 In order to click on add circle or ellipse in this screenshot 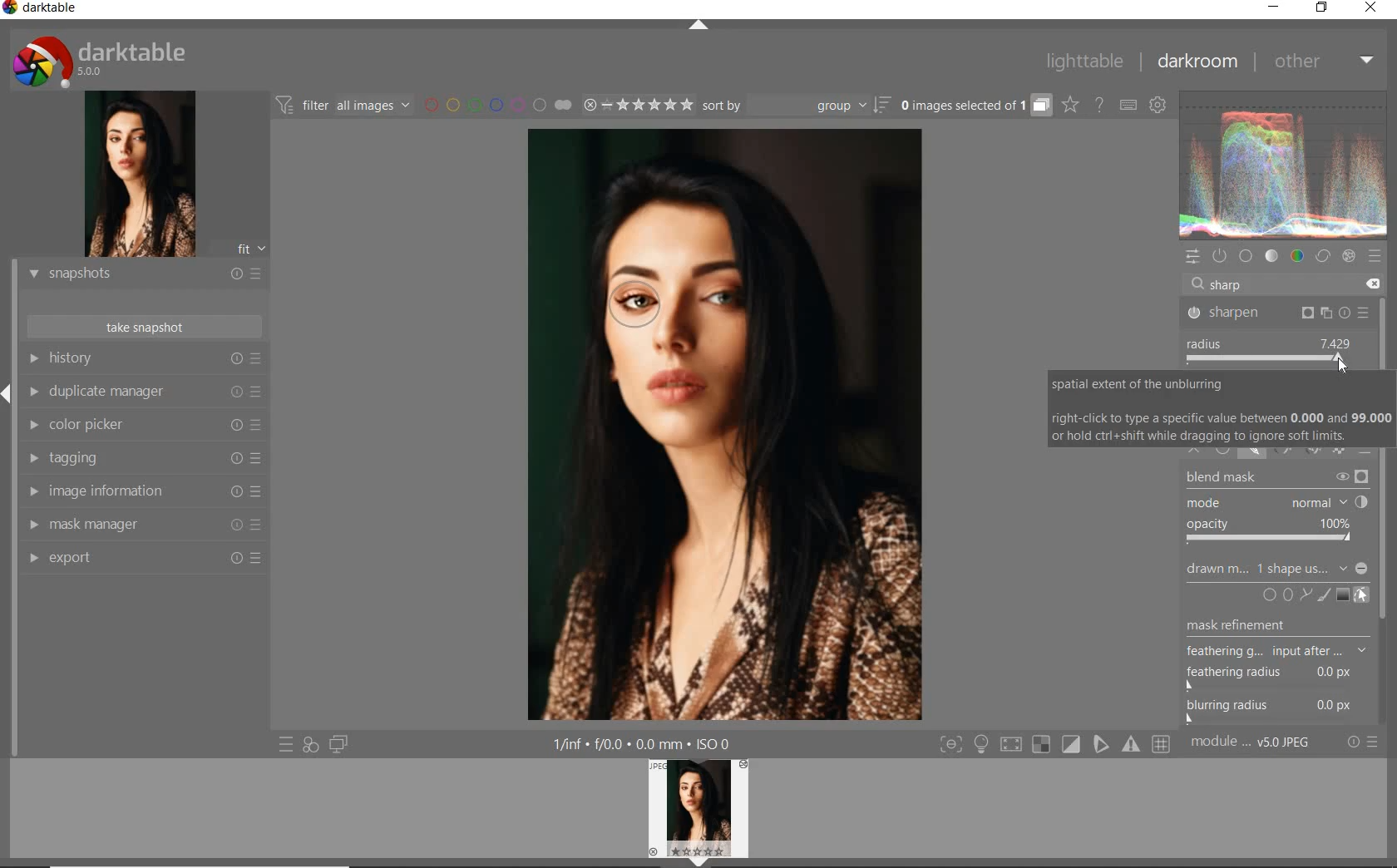, I will do `click(1279, 594)`.